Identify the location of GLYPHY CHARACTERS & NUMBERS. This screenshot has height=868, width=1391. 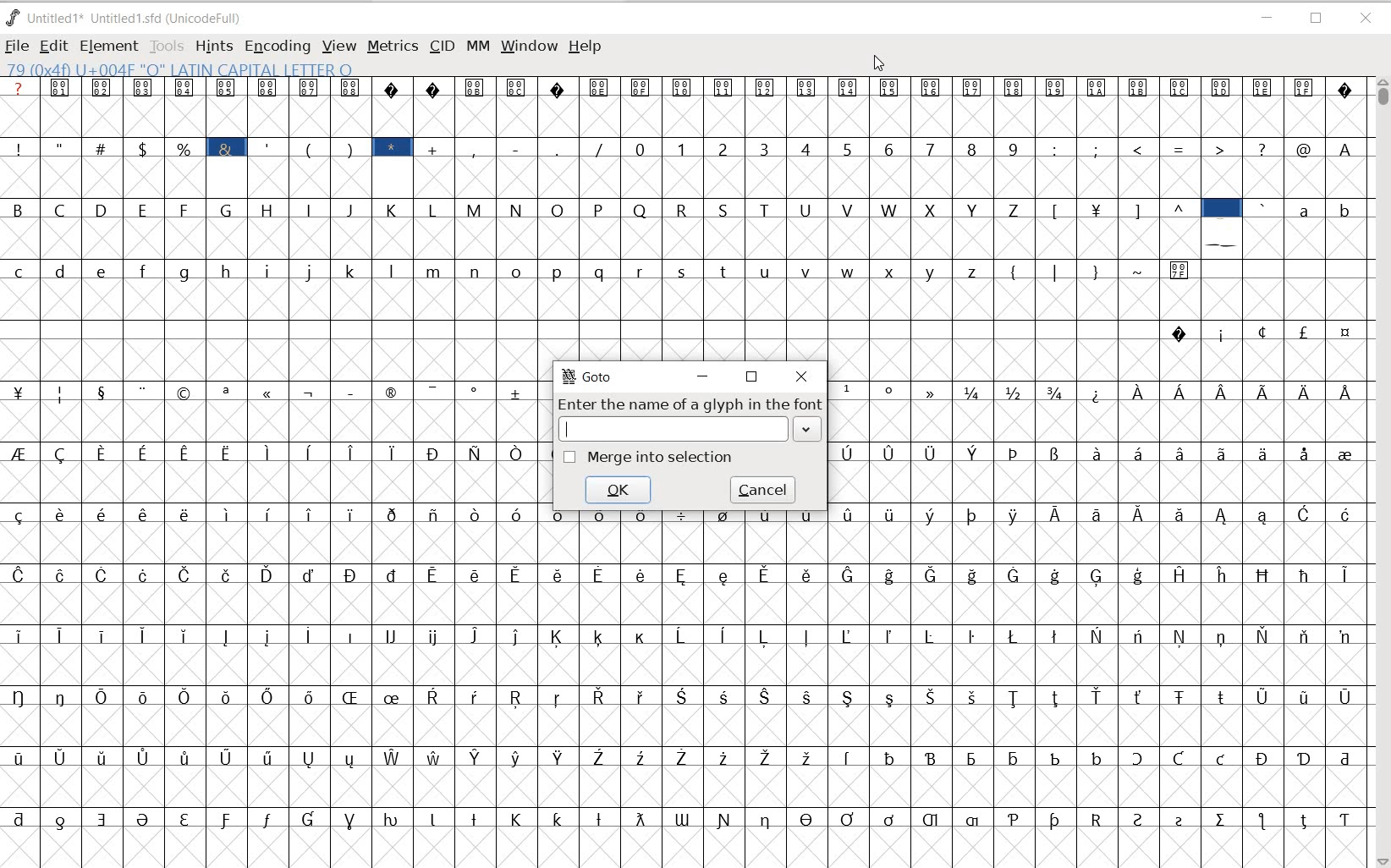
(682, 217).